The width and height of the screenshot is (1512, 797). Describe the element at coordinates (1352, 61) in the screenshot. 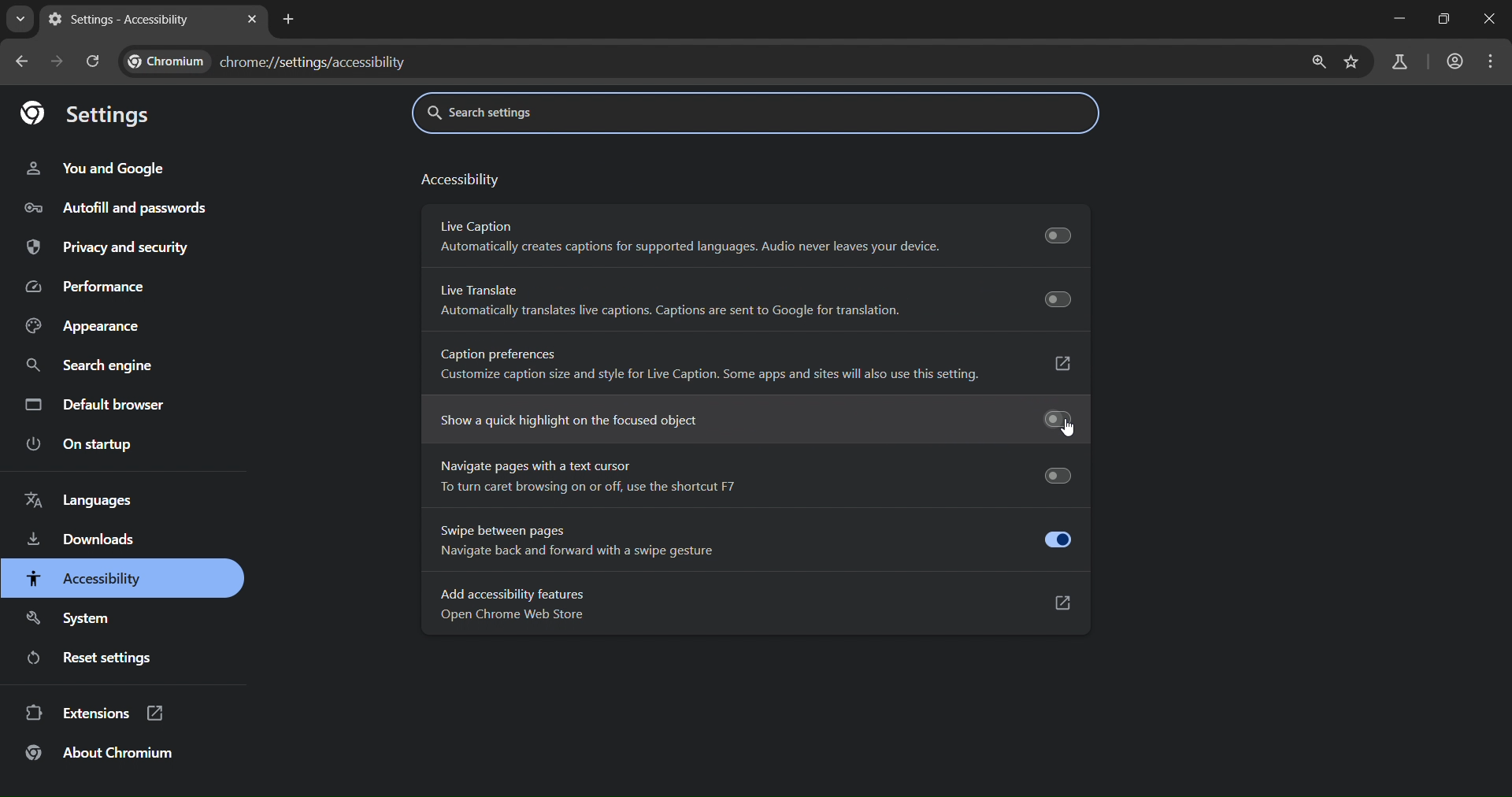

I see `bookmark page` at that location.